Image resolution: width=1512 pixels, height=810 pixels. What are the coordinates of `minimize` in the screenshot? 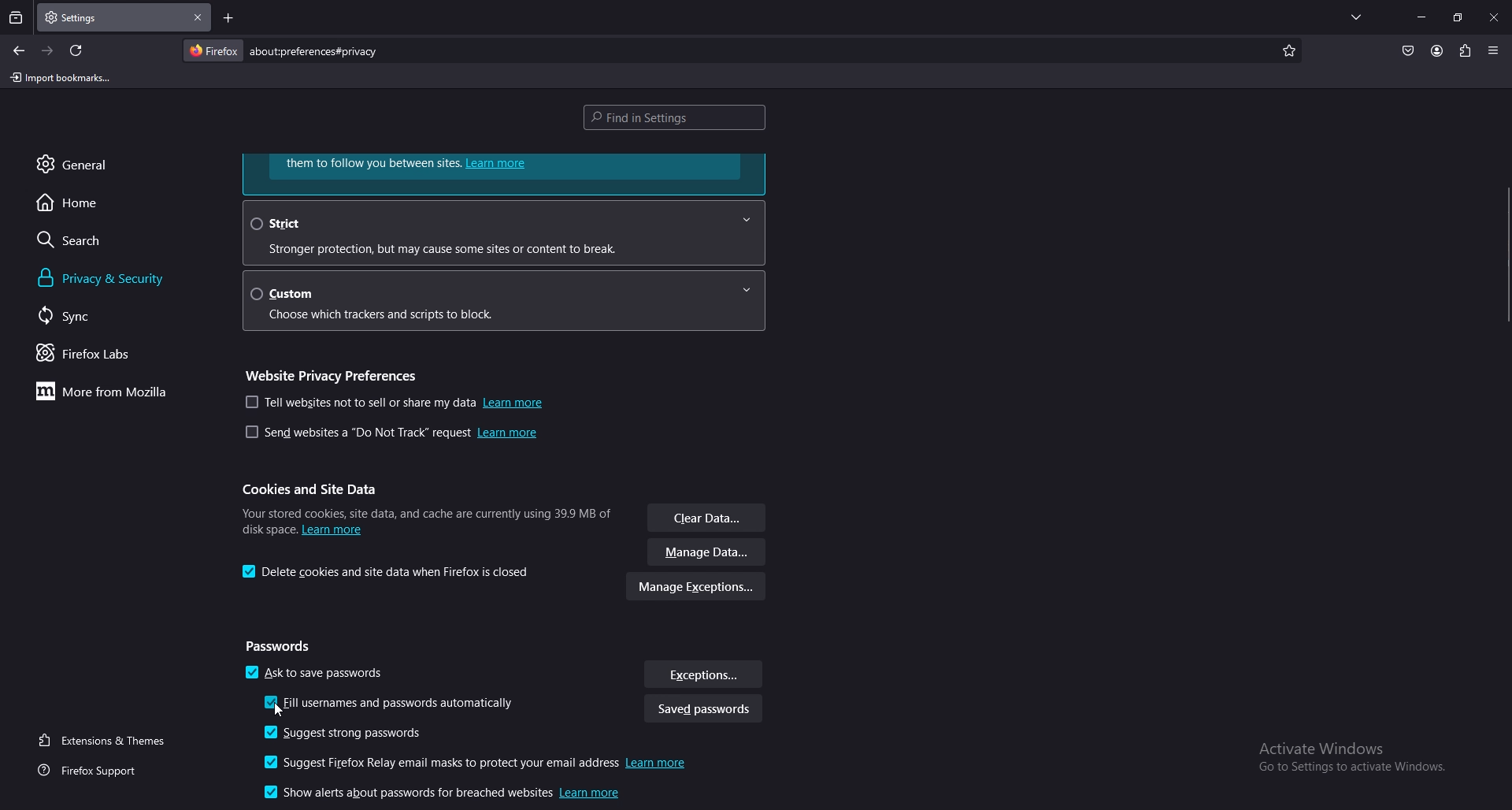 It's located at (1423, 17).